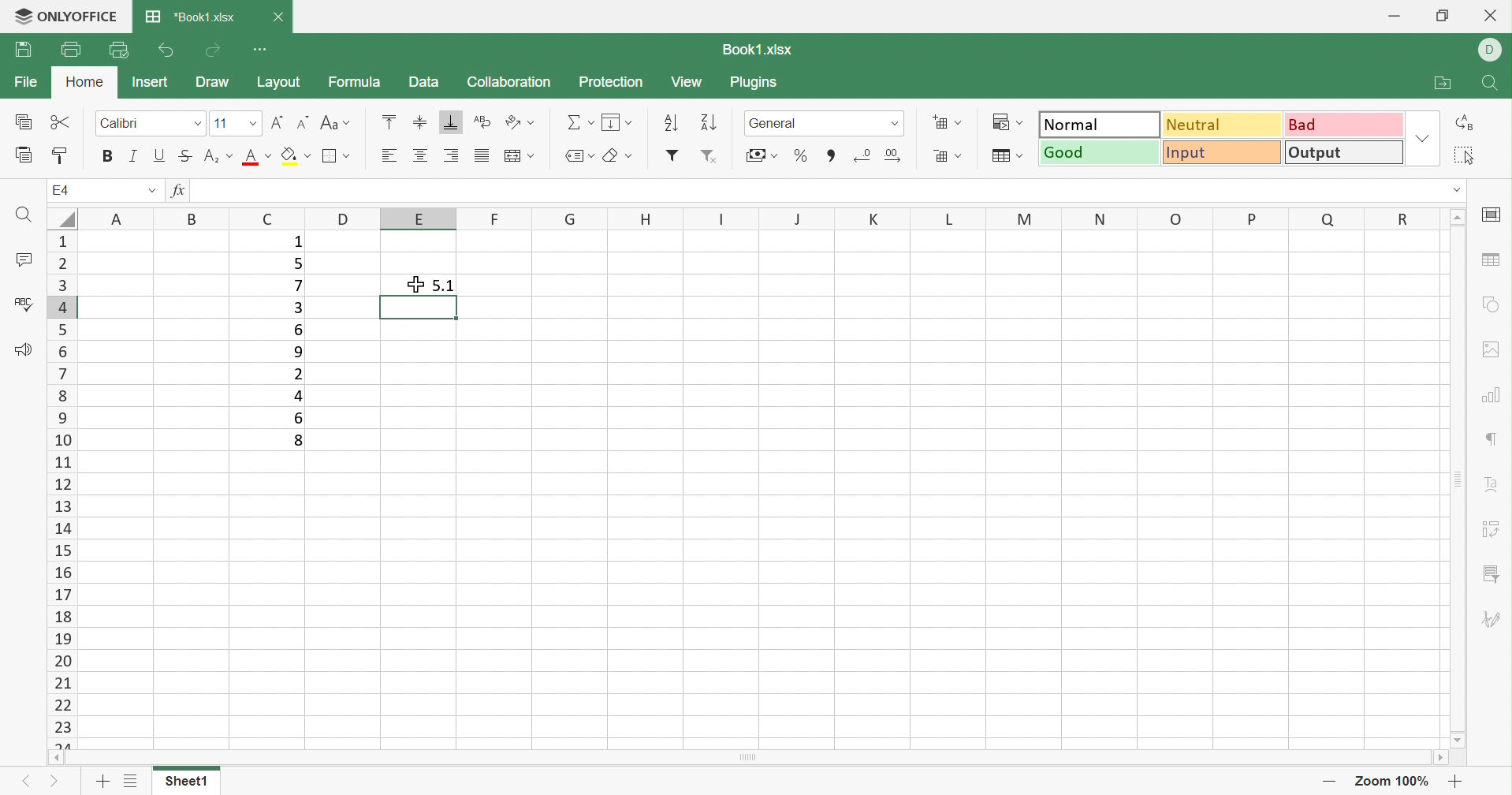 This screenshot has width=1512, height=795. What do you see at coordinates (1223, 154) in the screenshot?
I see `Input` at bounding box center [1223, 154].